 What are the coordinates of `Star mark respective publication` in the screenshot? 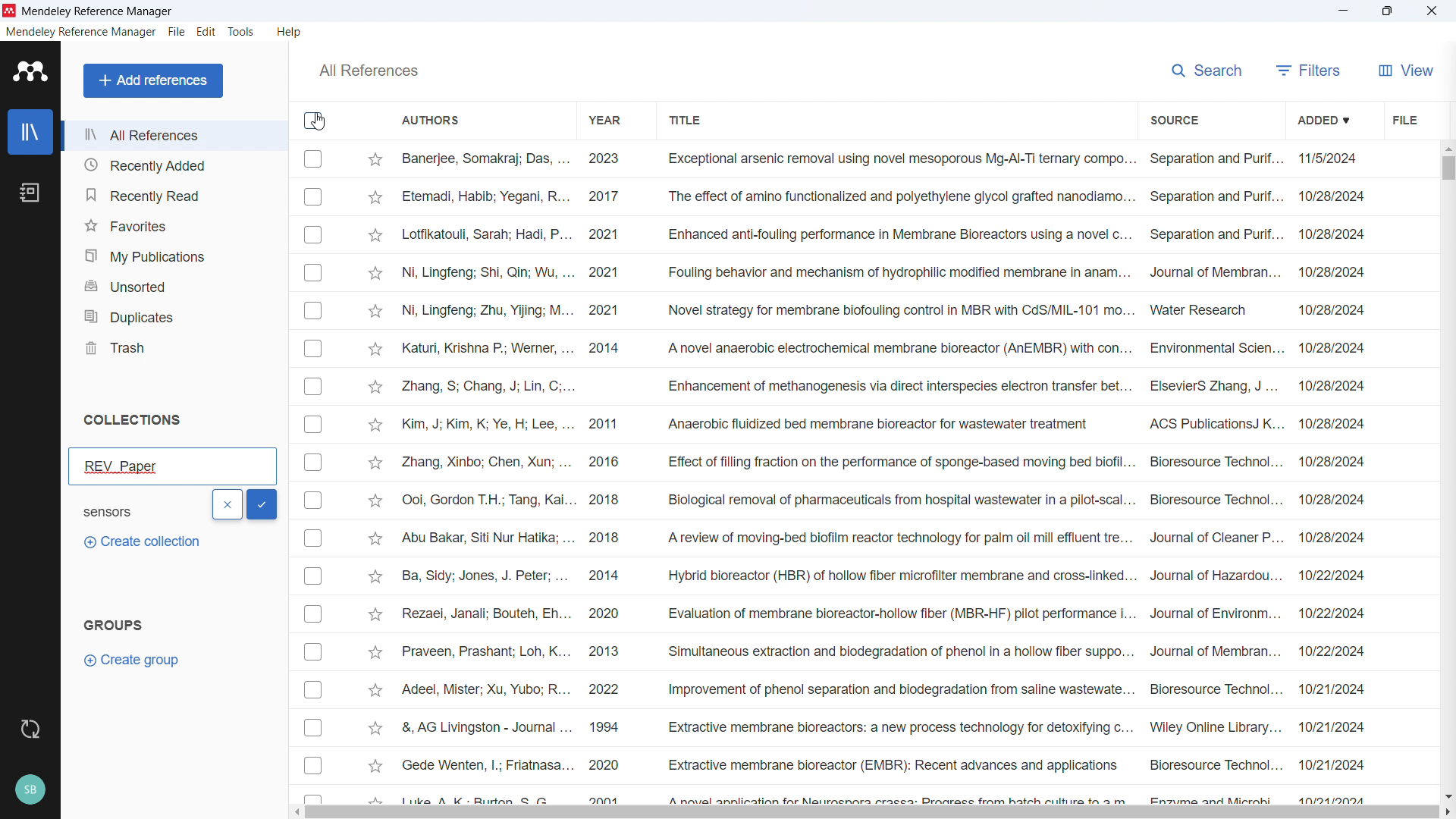 It's located at (375, 652).